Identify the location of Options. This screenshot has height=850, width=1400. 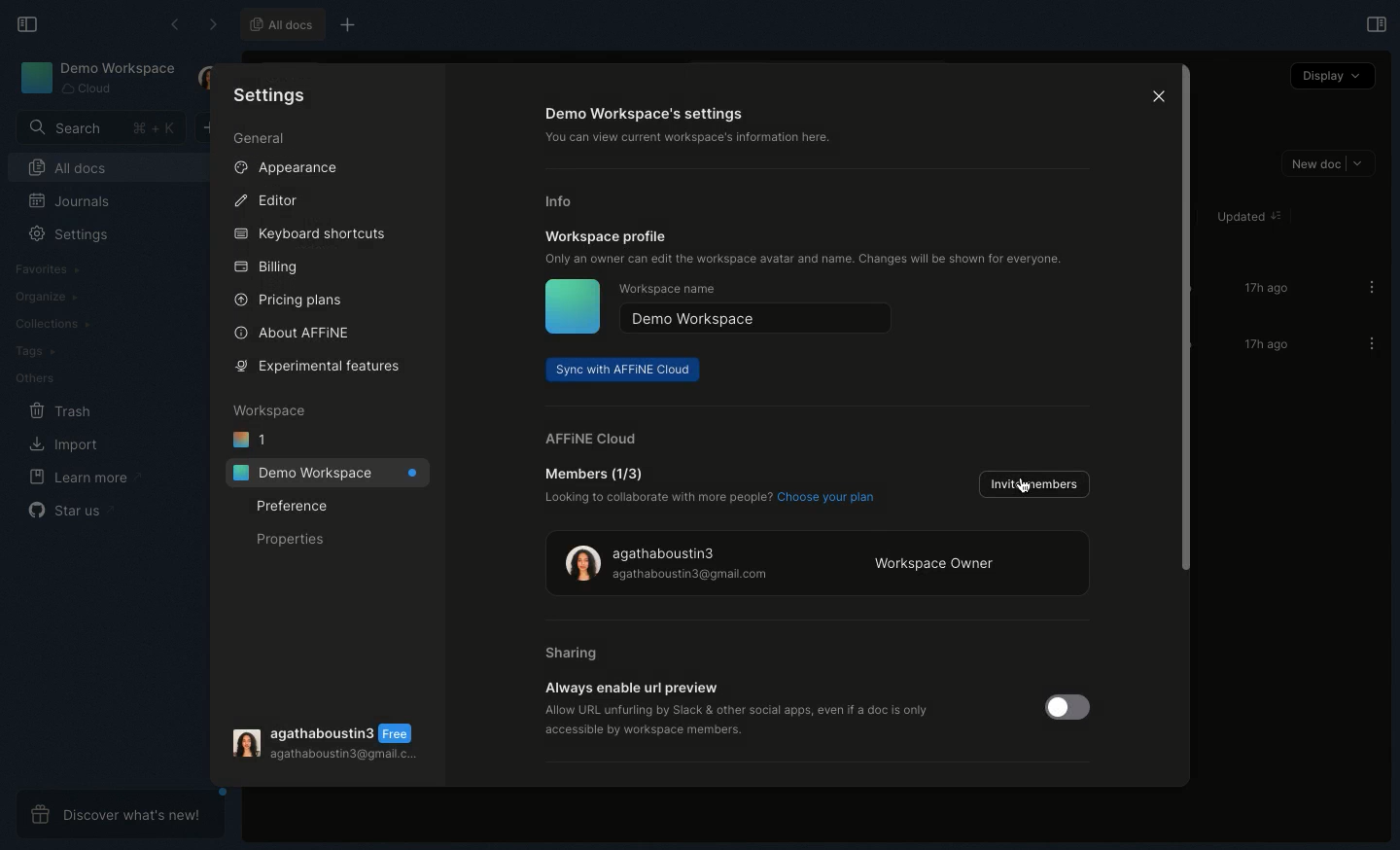
(1366, 287).